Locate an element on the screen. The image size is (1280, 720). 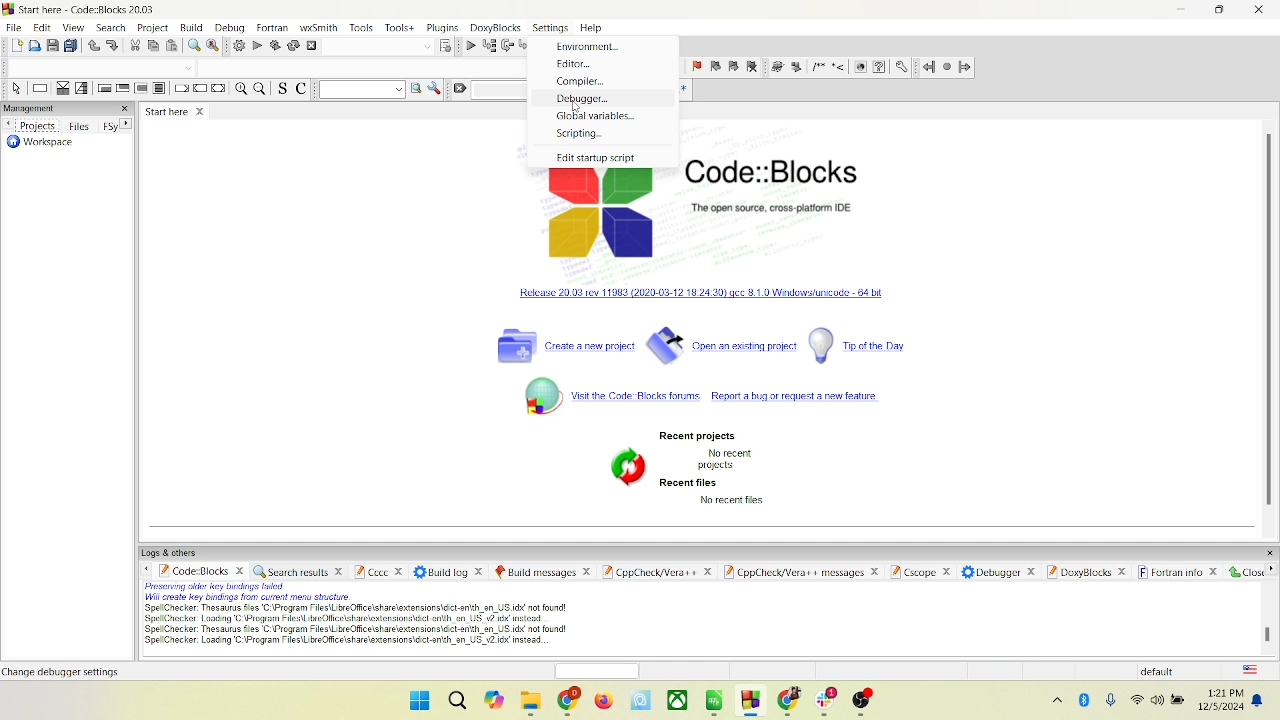
close is located at coordinates (1261, 10).